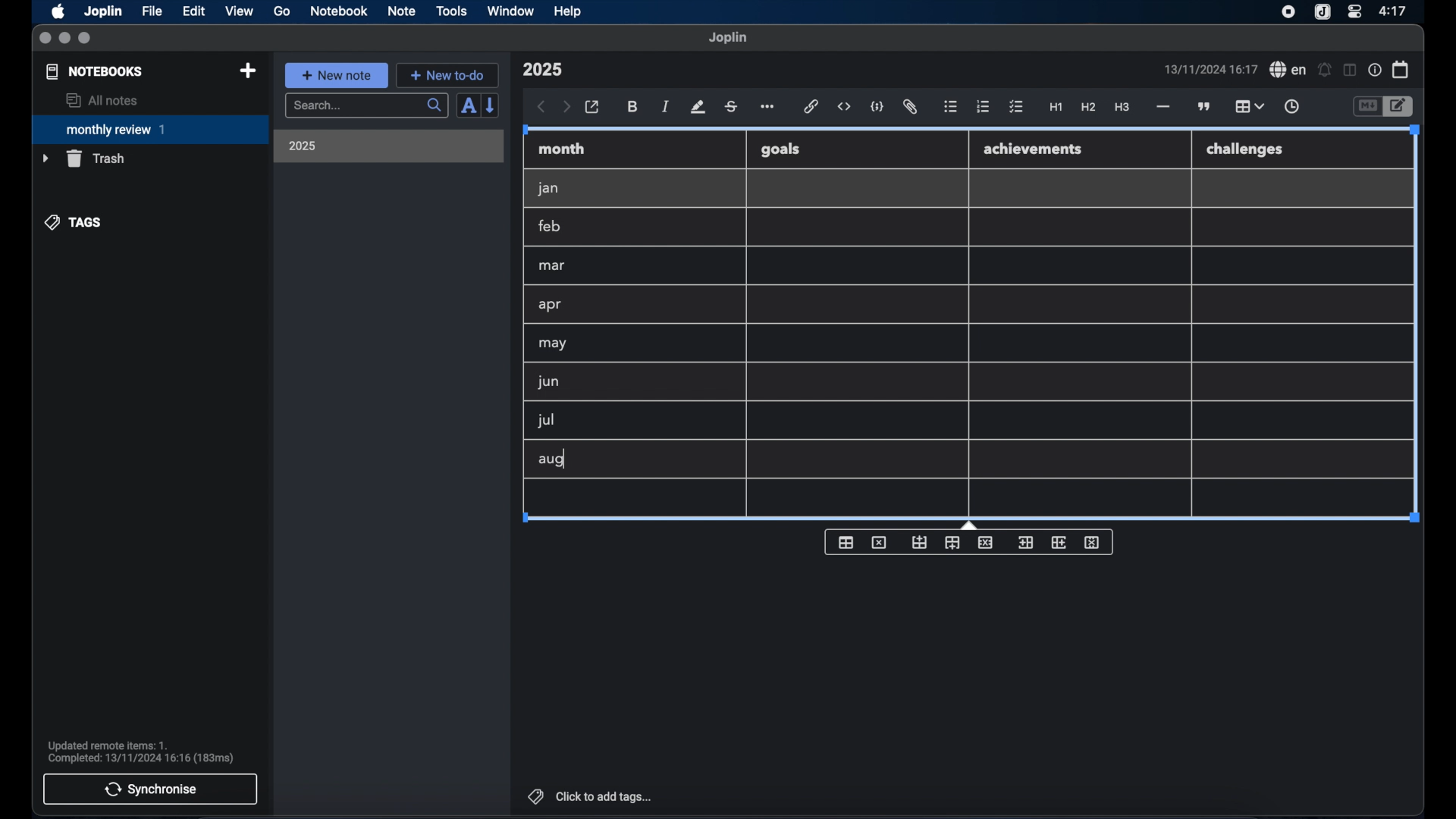 The width and height of the screenshot is (1456, 819). What do you see at coordinates (45, 39) in the screenshot?
I see `close` at bounding box center [45, 39].